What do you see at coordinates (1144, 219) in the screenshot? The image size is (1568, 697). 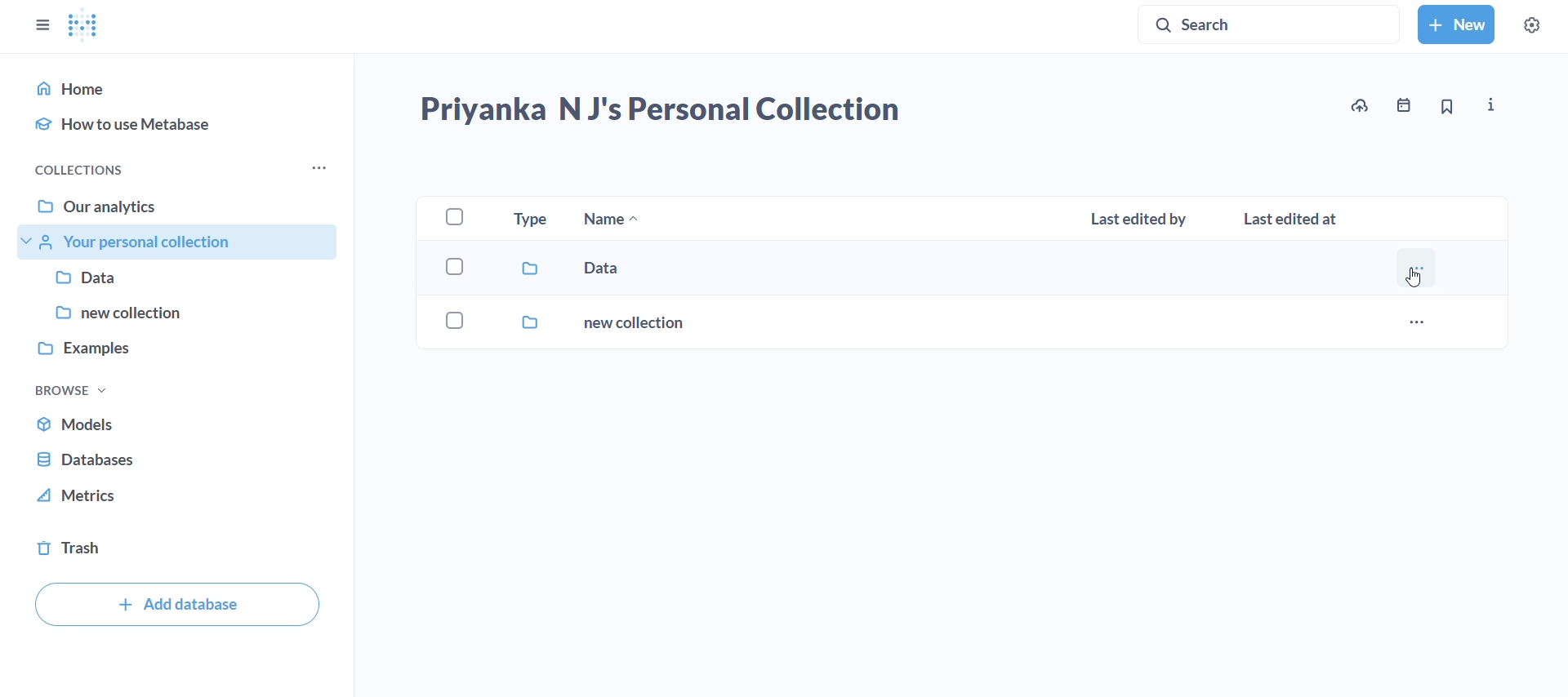 I see `last edited by ` at bounding box center [1144, 219].